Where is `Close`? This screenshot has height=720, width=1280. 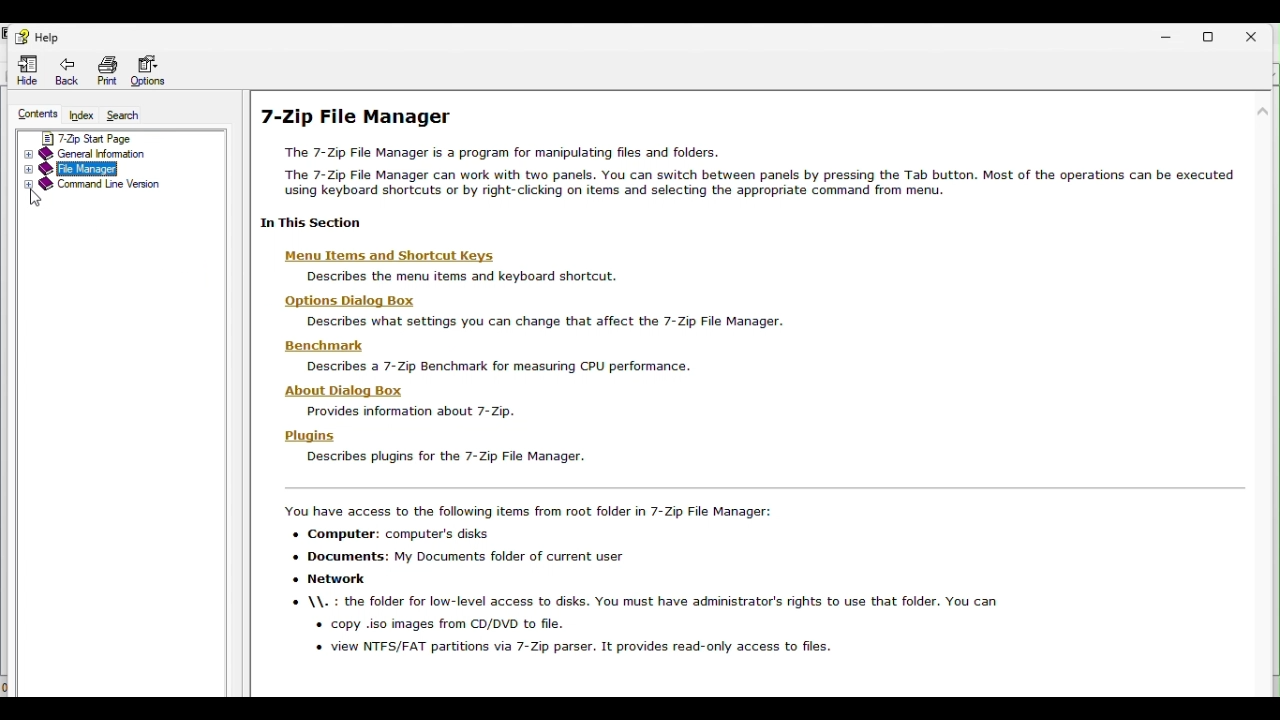
Close is located at coordinates (1259, 33).